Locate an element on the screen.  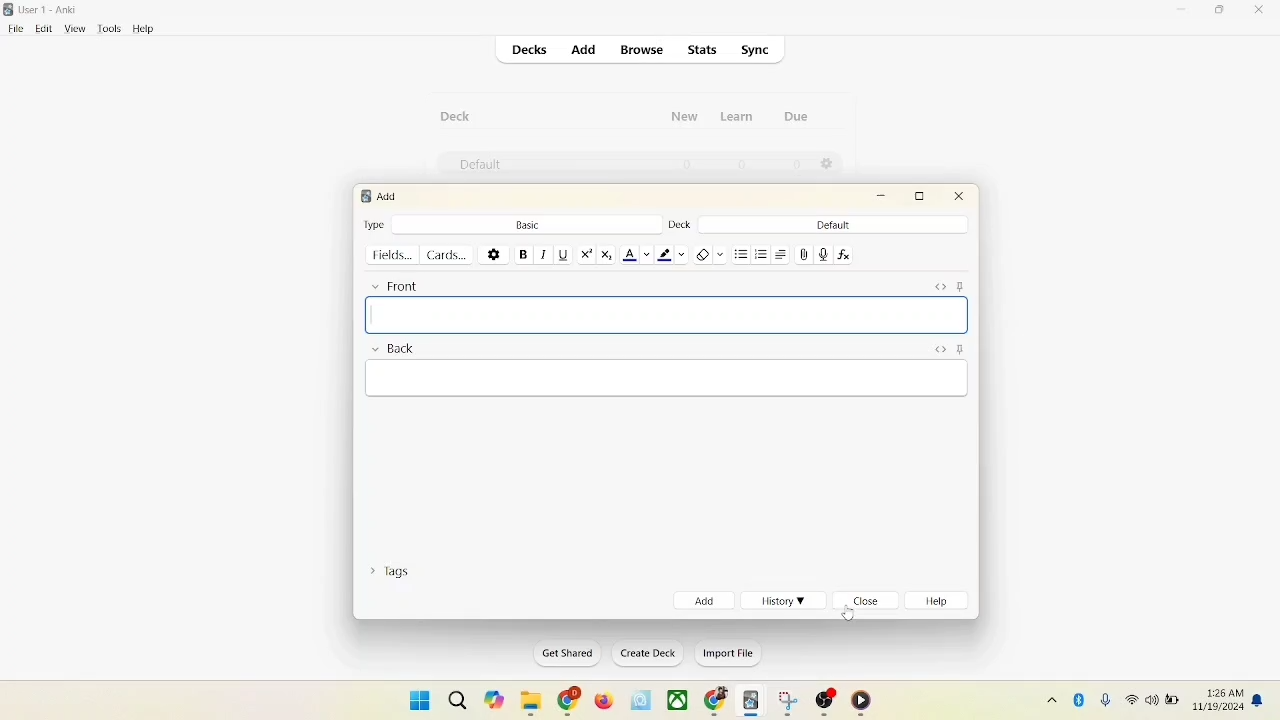
wifi is located at coordinates (1130, 699).